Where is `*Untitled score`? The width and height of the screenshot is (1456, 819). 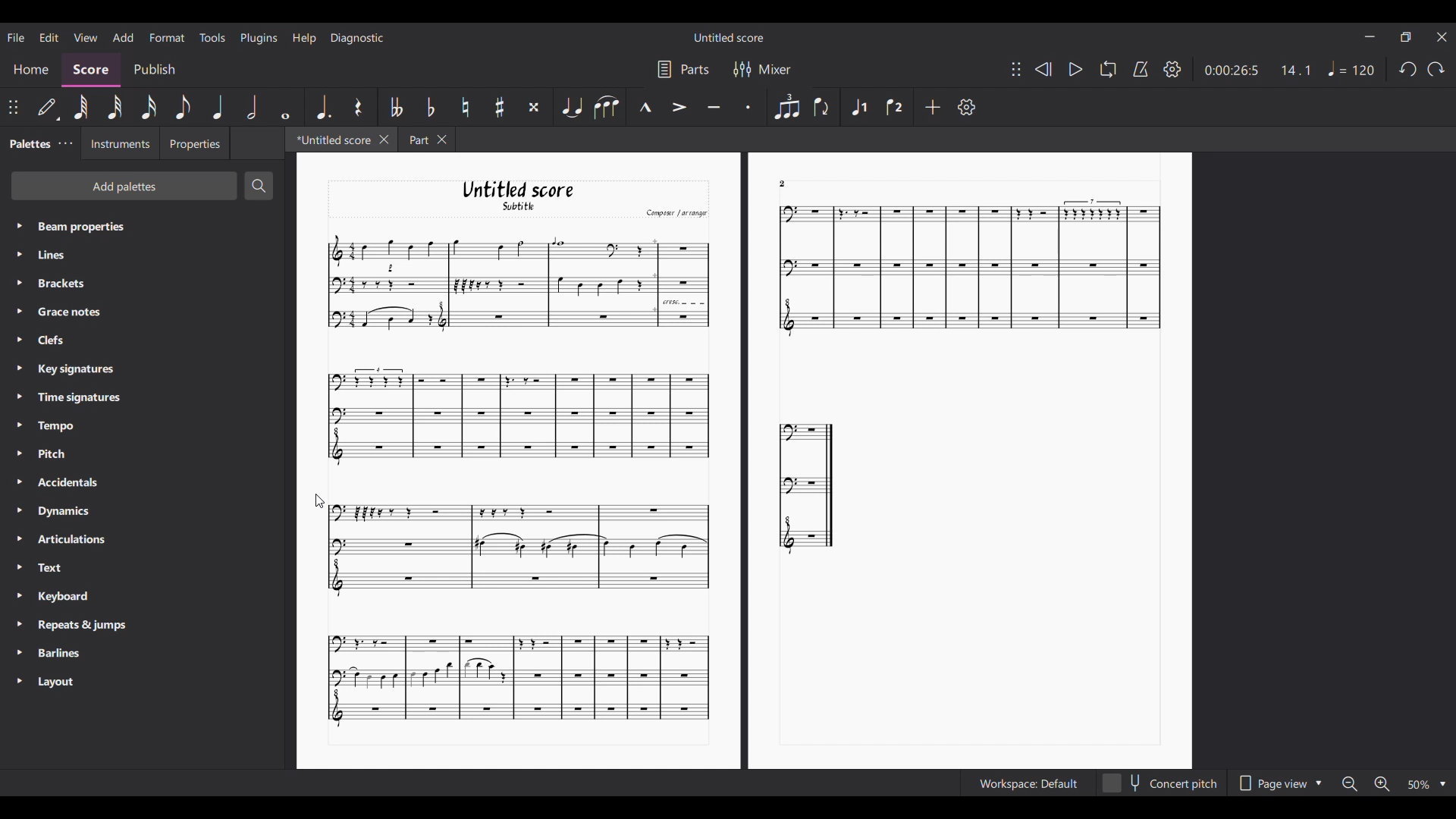 *Untitled score is located at coordinates (328, 139).